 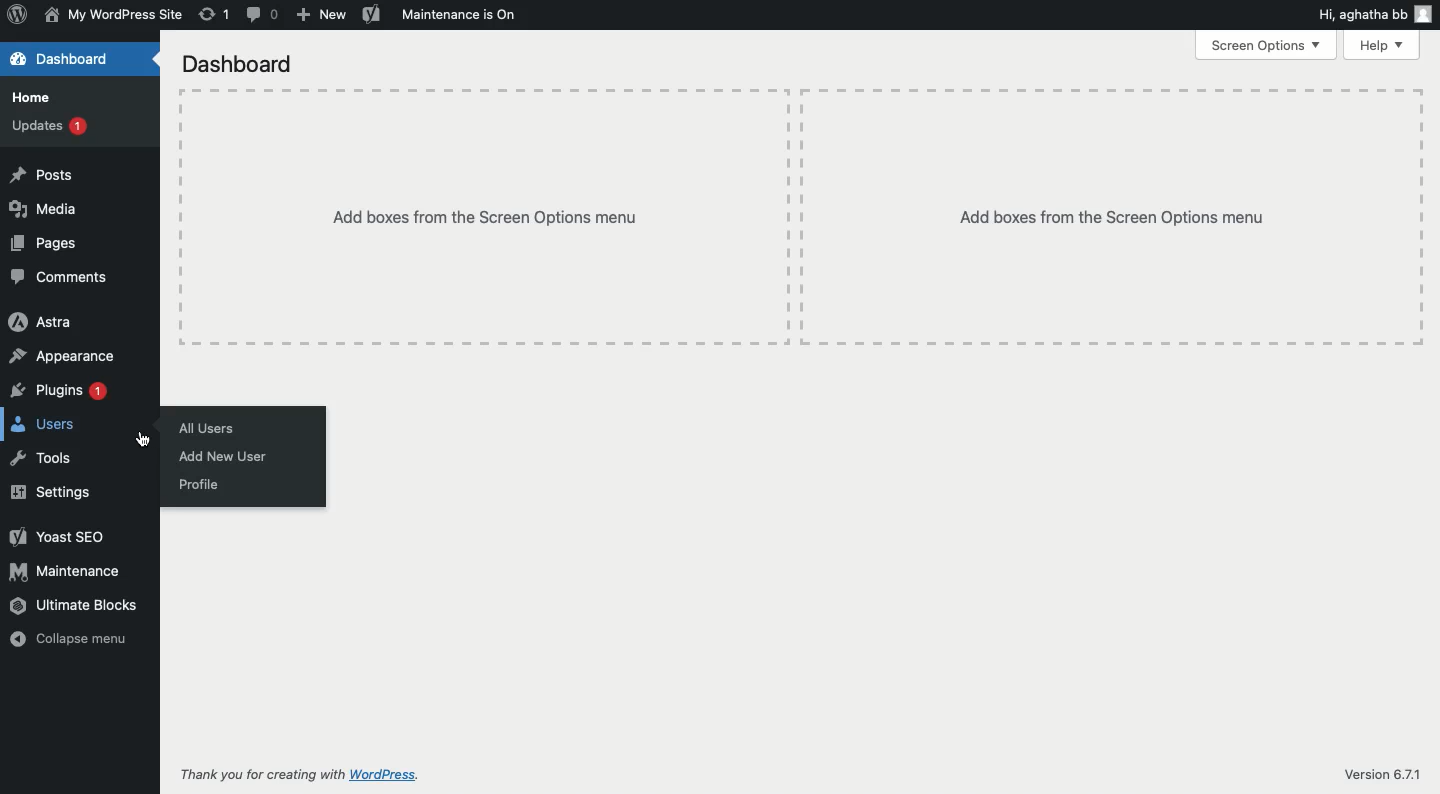 I want to click on Astra, so click(x=43, y=323).